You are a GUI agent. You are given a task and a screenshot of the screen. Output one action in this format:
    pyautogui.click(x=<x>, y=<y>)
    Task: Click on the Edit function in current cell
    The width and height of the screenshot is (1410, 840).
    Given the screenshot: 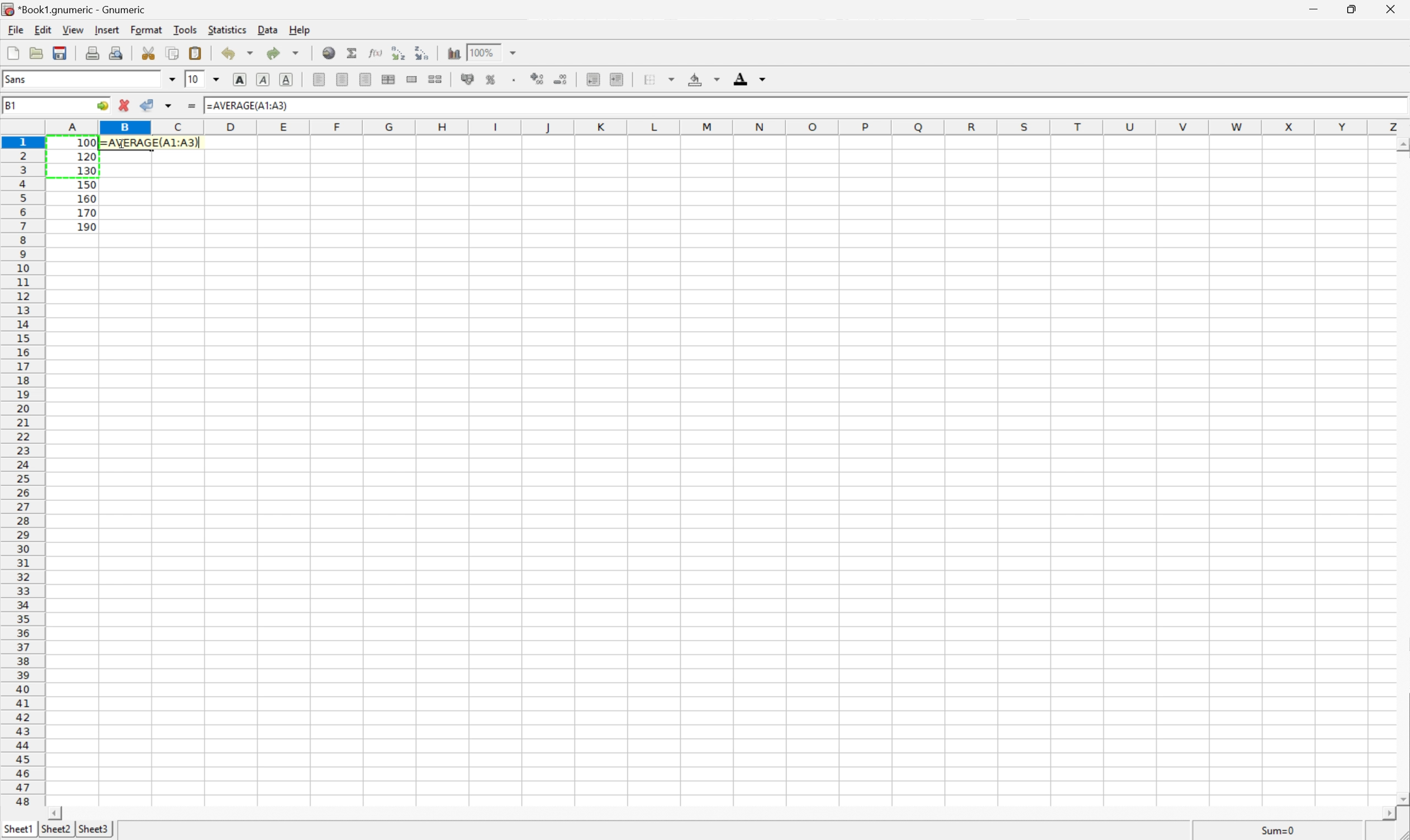 What is the action you would take?
    pyautogui.click(x=375, y=53)
    